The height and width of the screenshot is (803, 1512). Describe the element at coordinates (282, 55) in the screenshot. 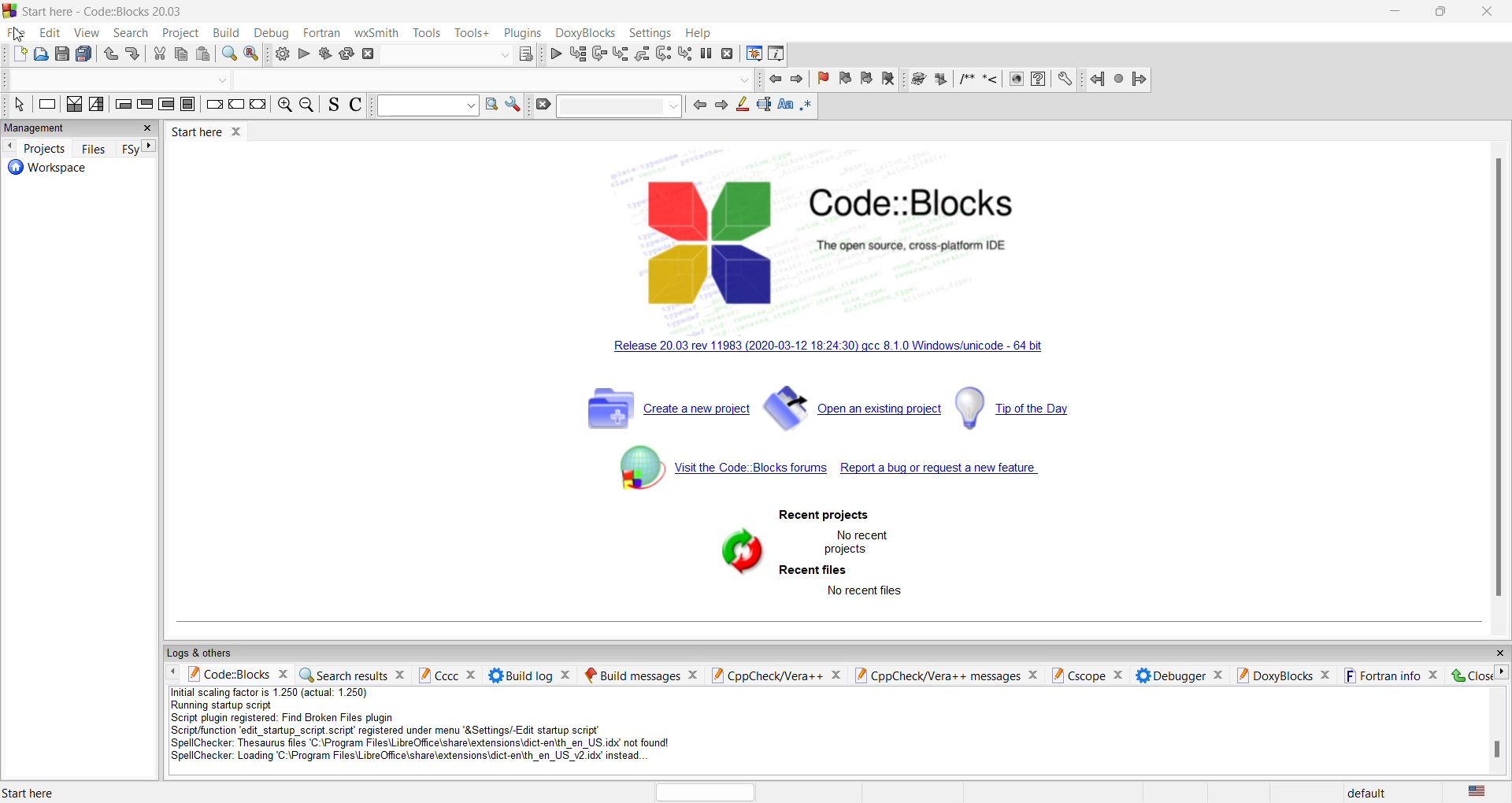

I see `build` at that location.